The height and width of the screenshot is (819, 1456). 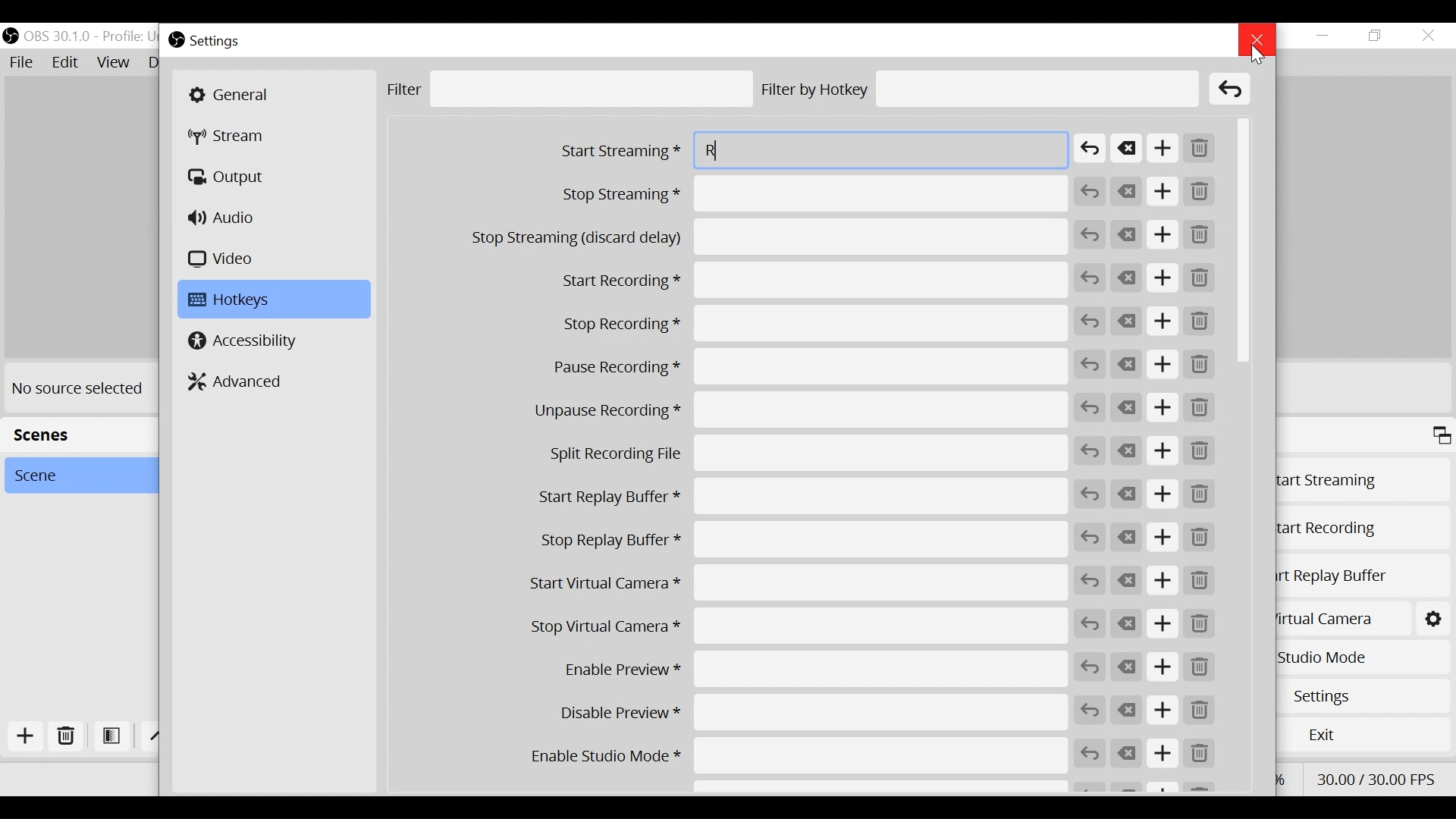 What do you see at coordinates (812, 149) in the screenshot?
I see `Start Streaming` at bounding box center [812, 149].